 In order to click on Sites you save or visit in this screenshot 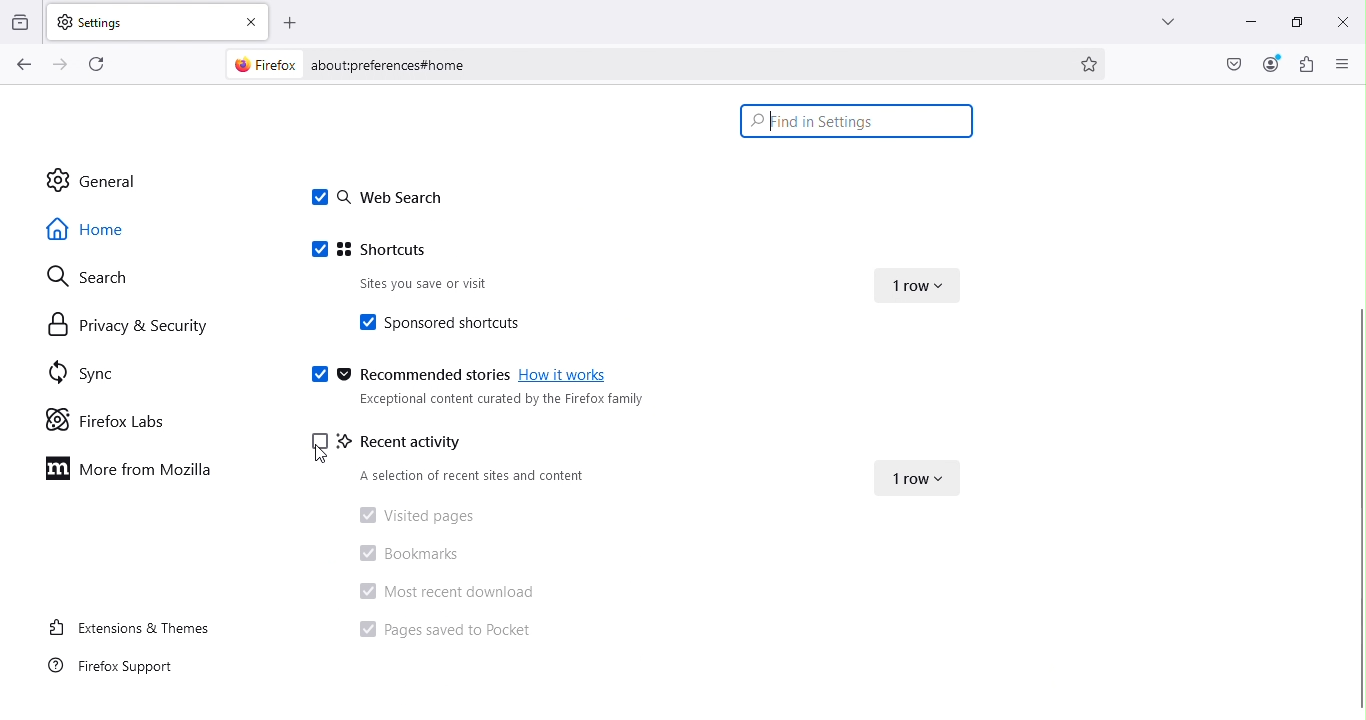, I will do `click(453, 285)`.